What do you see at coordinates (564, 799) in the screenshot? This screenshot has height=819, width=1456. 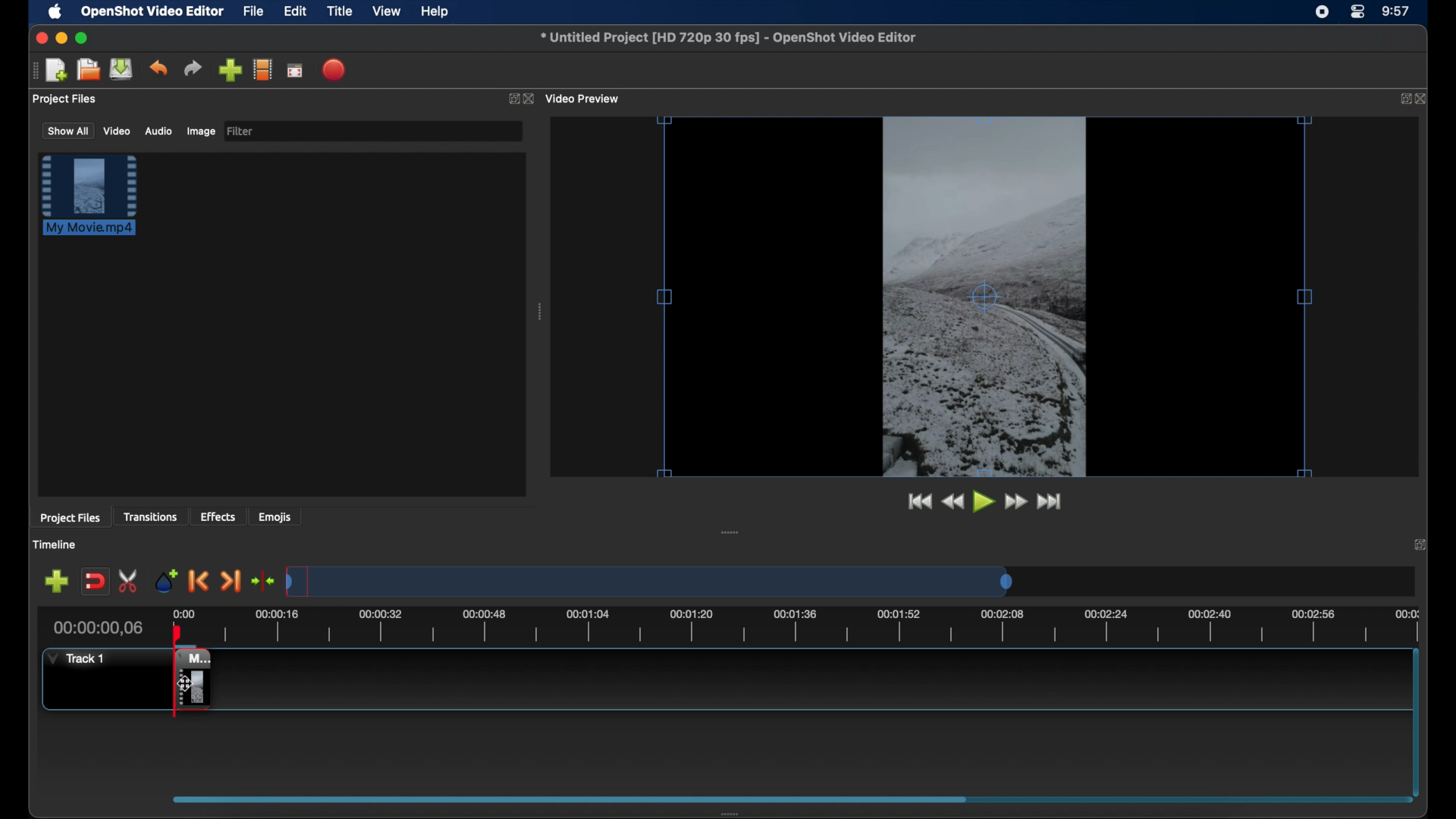 I see `scroll box` at bounding box center [564, 799].